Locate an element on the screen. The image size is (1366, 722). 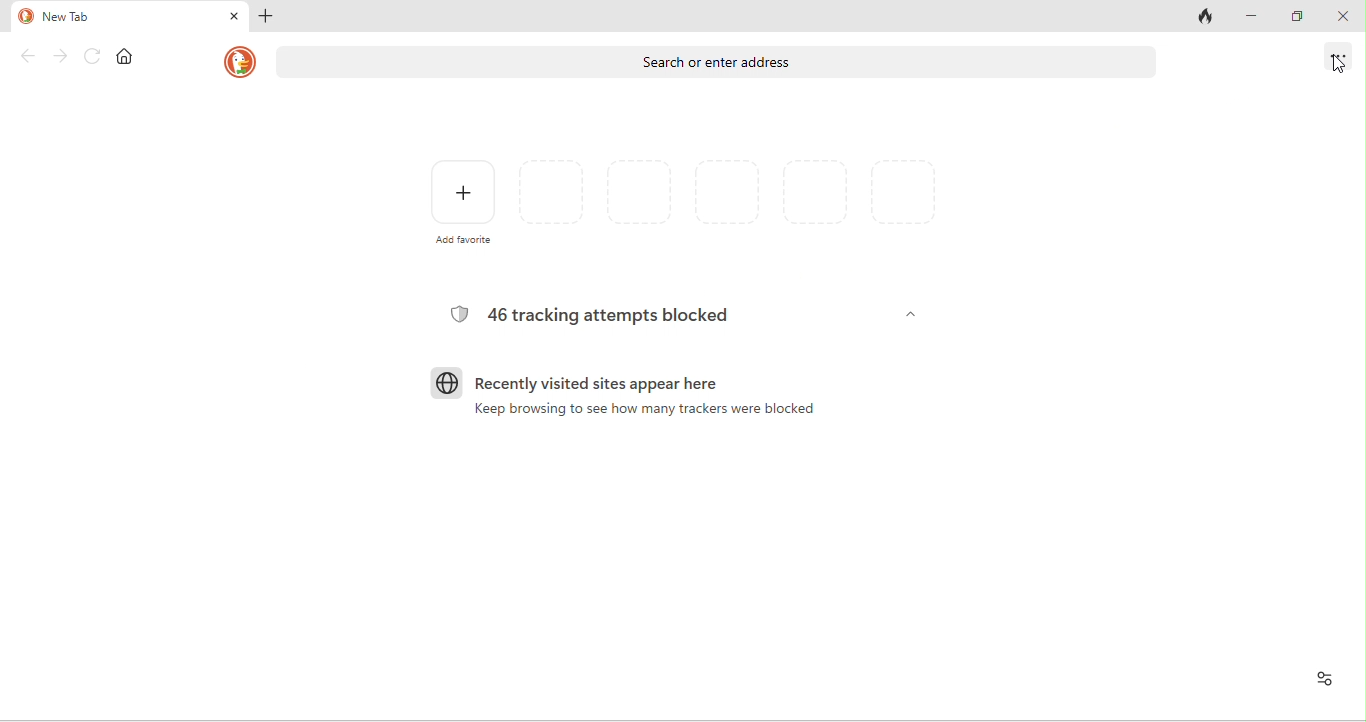
track tab is located at coordinates (1200, 17).